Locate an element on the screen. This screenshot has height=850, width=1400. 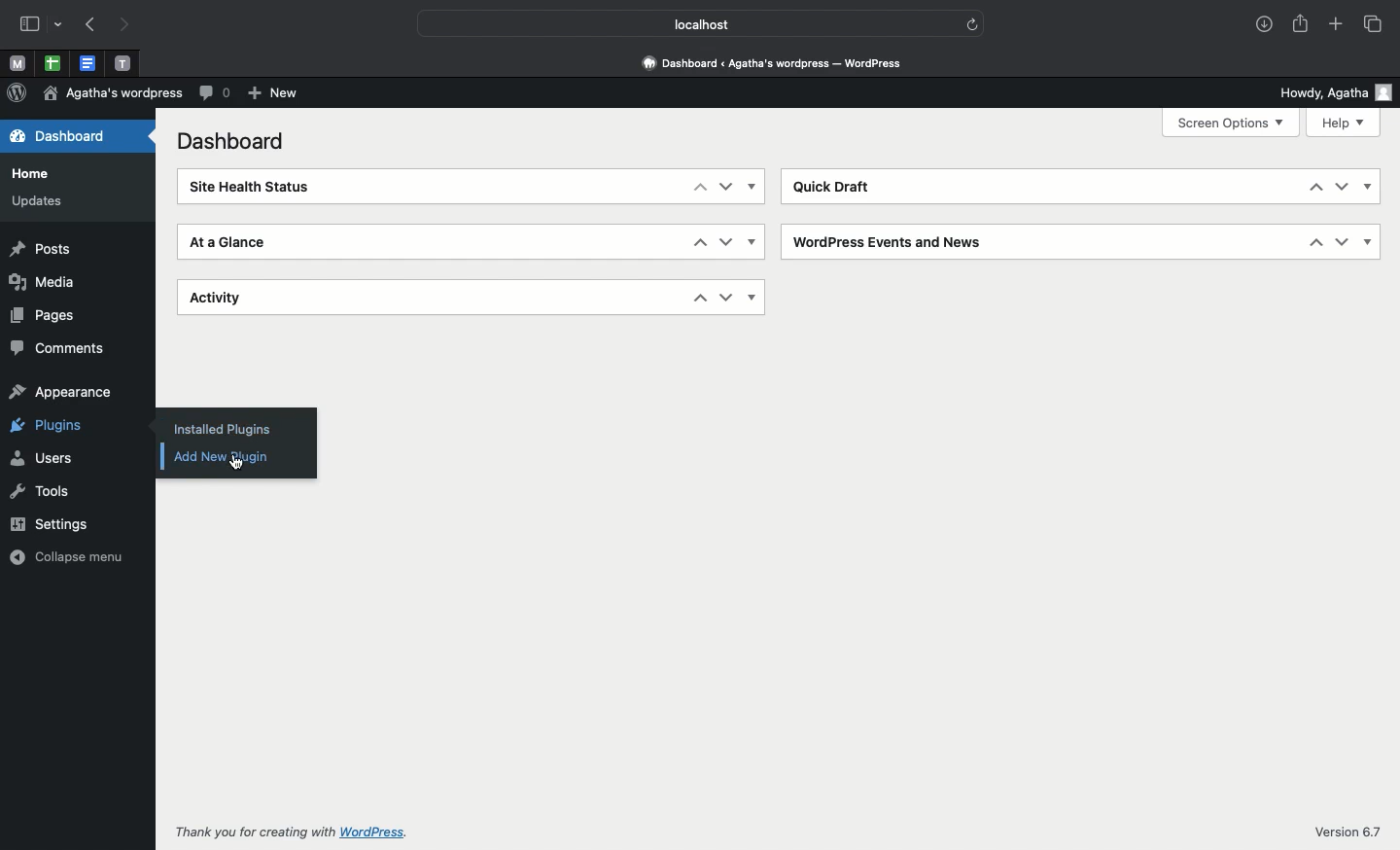
Down is located at coordinates (1343, 187).